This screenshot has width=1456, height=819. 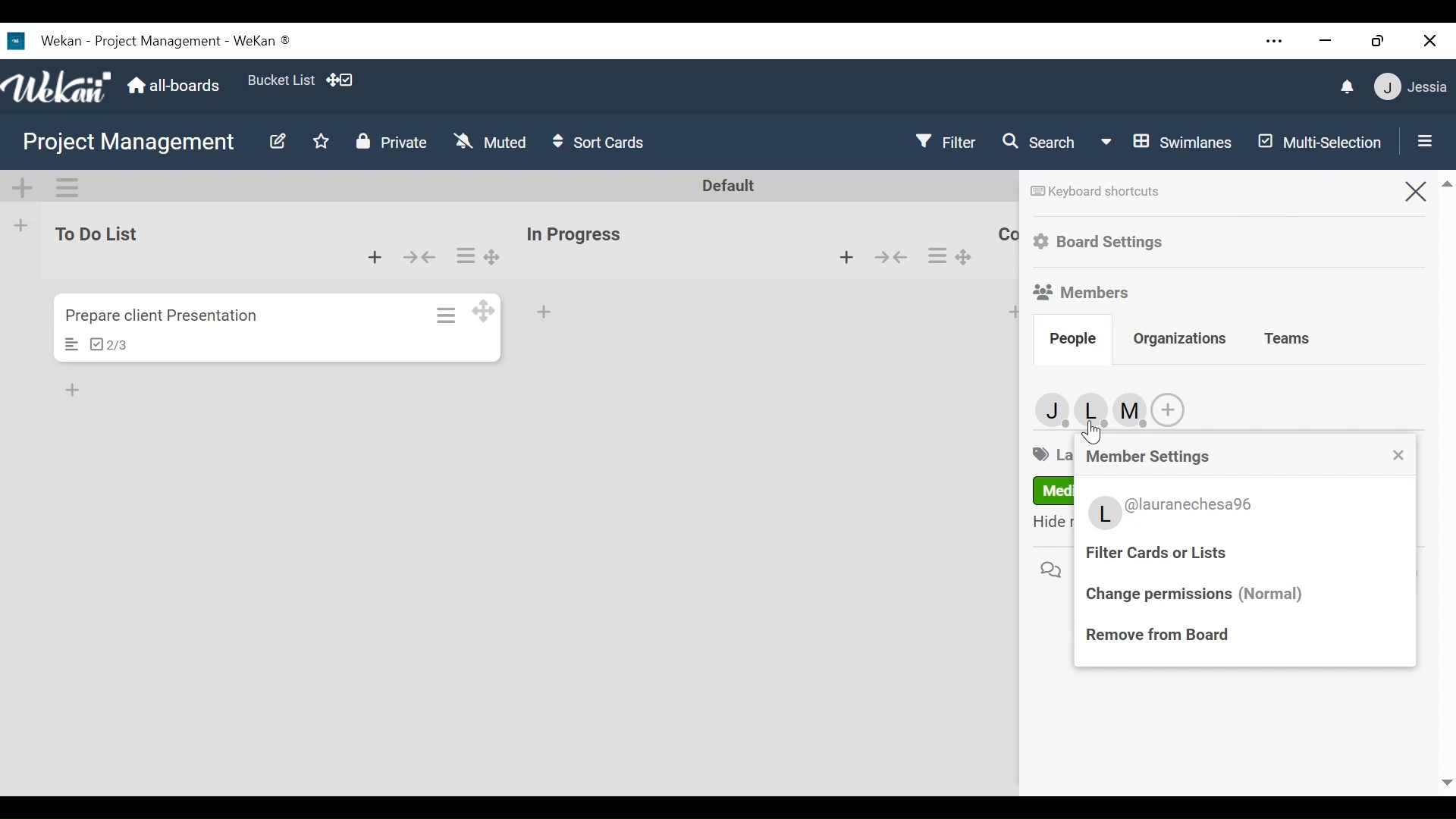 What do you see at coordinates (279, 79) in the screenshot?
I see `bucket list` at bounding box center [279, 79].